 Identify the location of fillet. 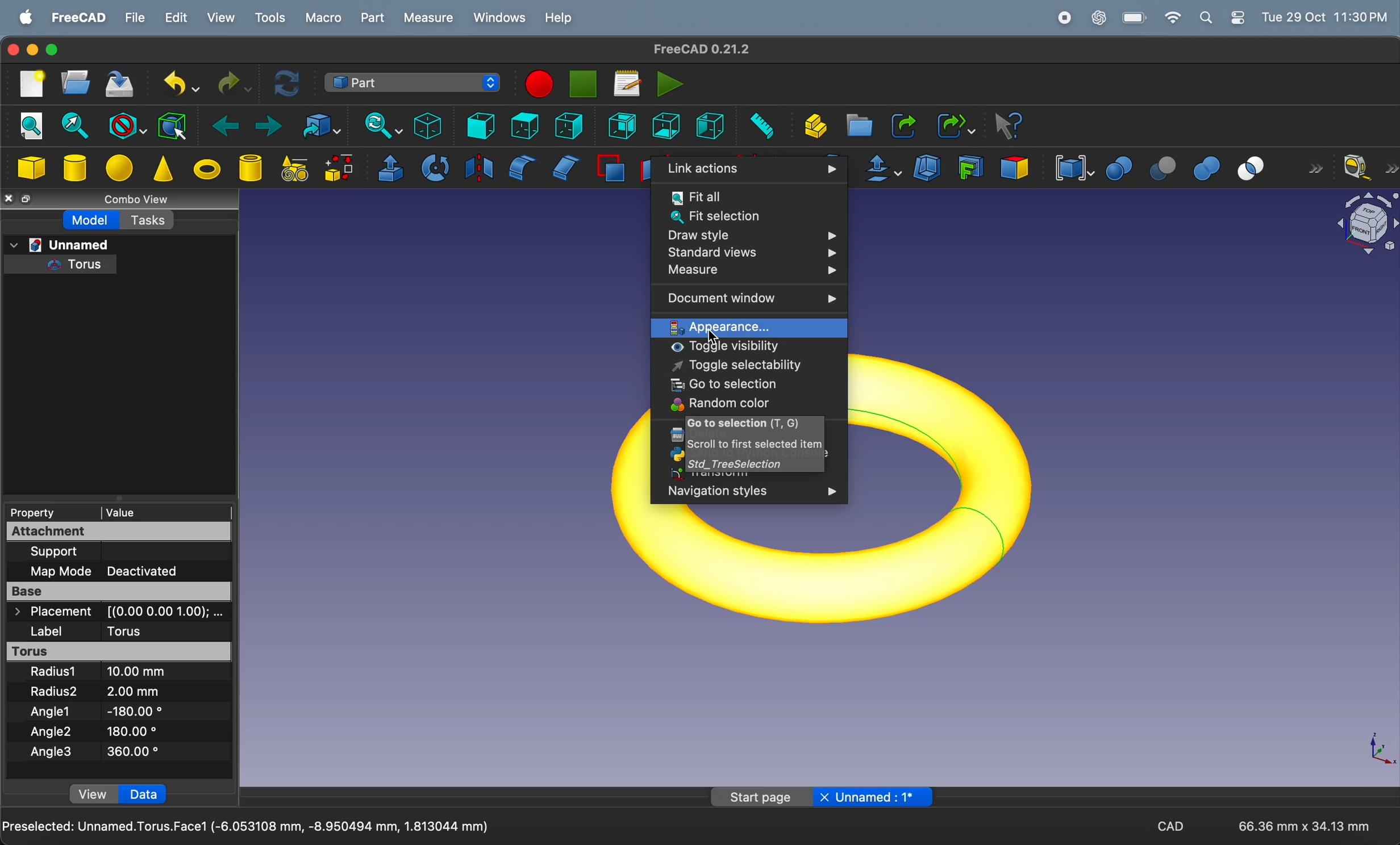
(520, 168).